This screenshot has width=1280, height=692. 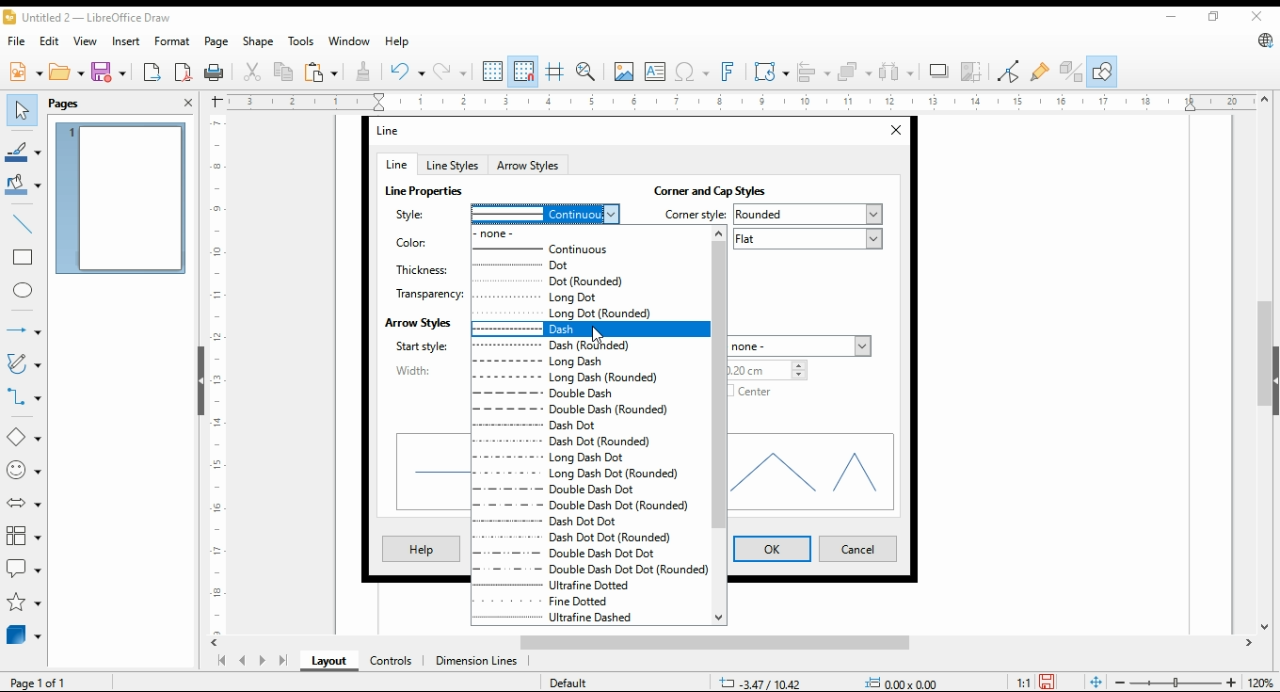 I want to click on layout, so click(x=330, y=661).